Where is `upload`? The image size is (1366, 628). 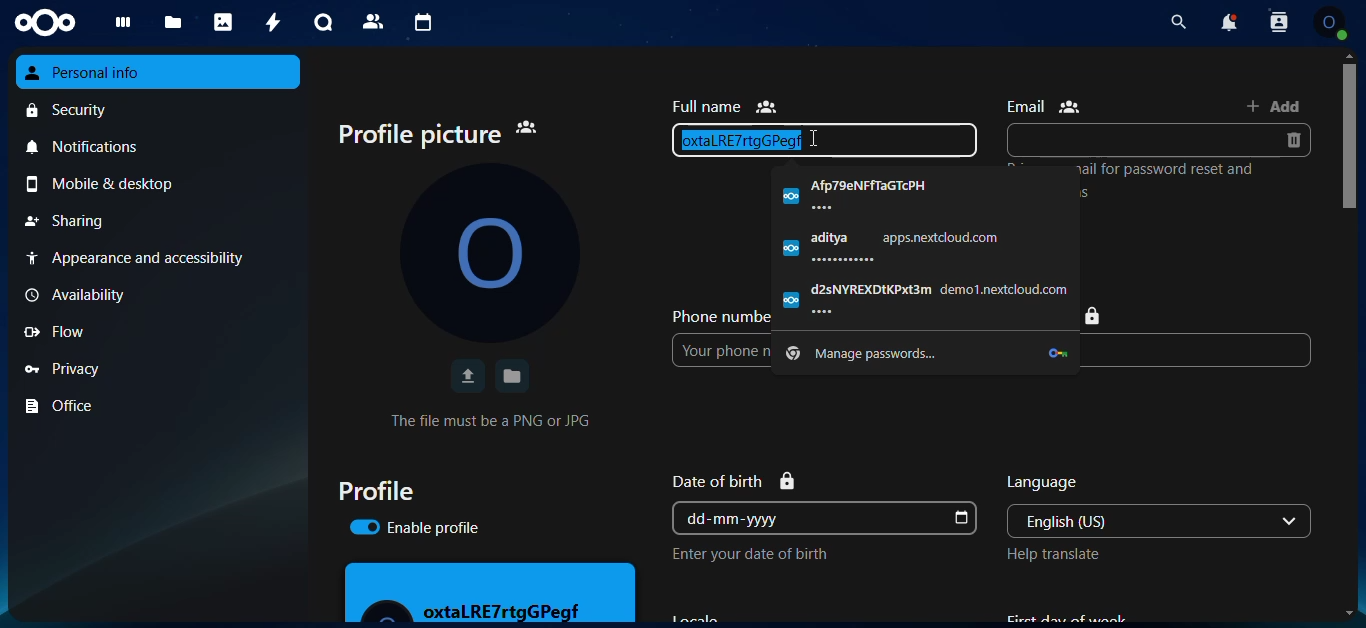 upload is located at coordinates (466, 376).